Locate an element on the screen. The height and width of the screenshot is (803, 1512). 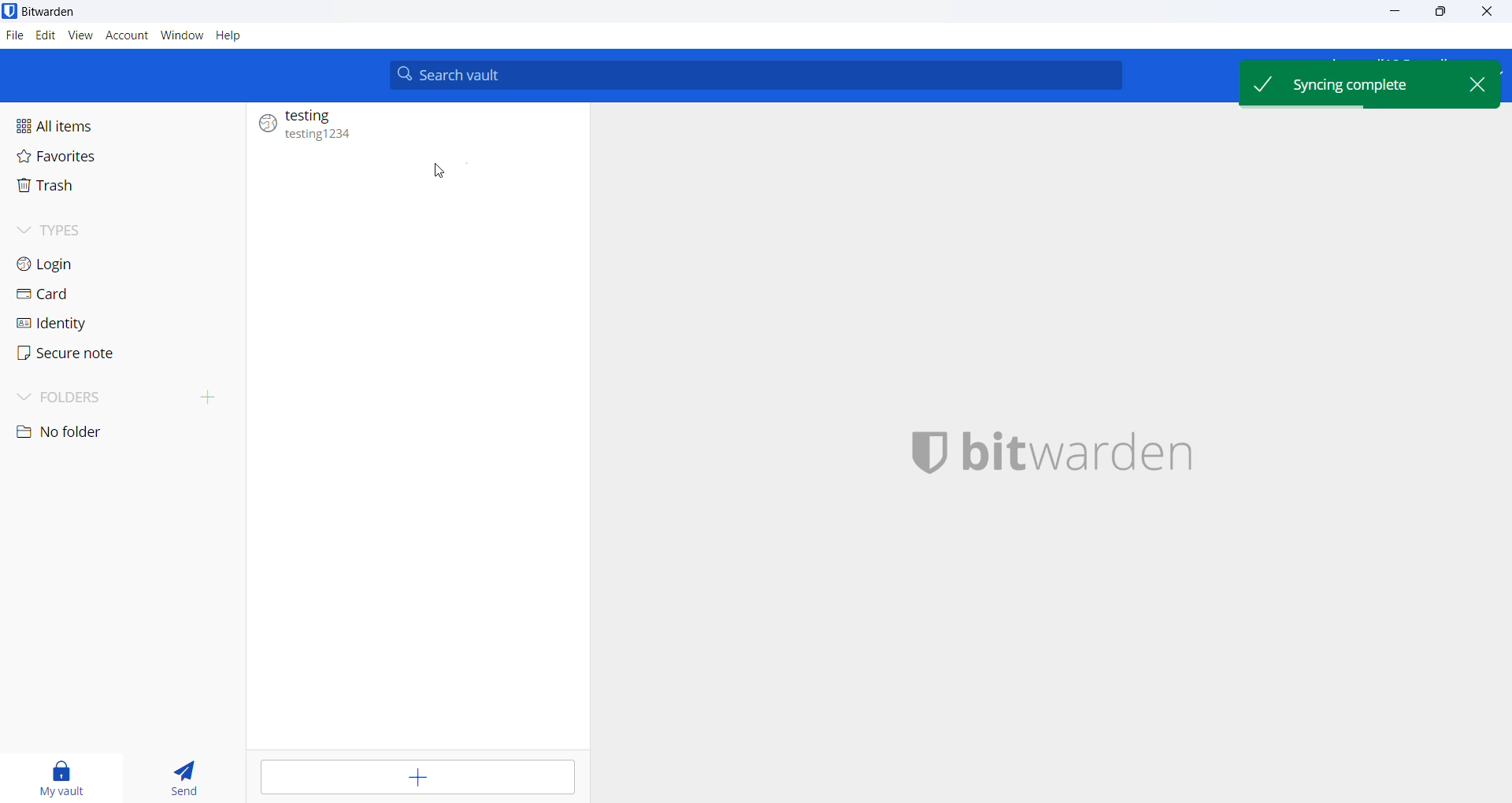
cursor is located at coordinates (1486, 13).